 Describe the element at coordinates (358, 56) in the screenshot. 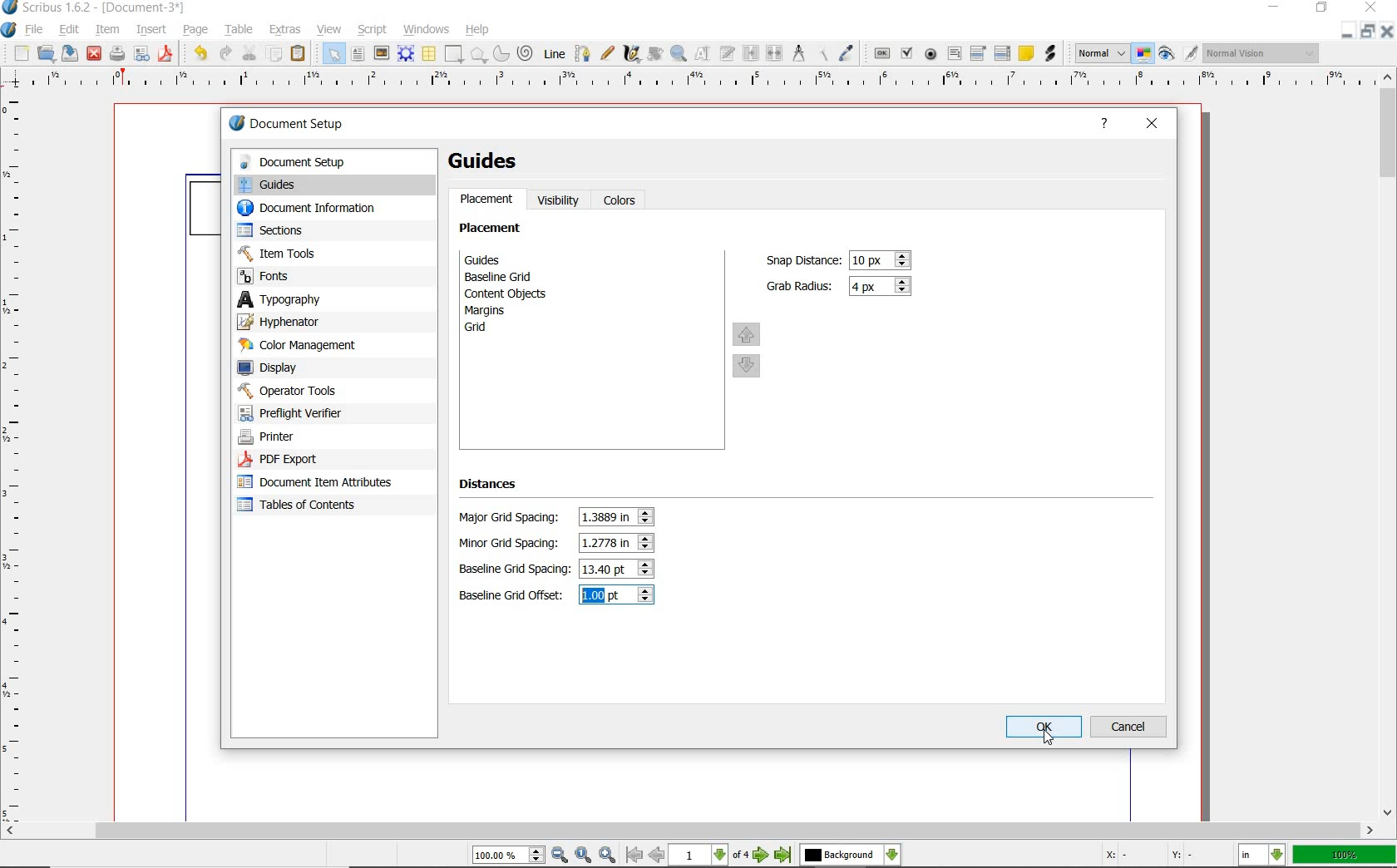

I see `text frame` at that location.